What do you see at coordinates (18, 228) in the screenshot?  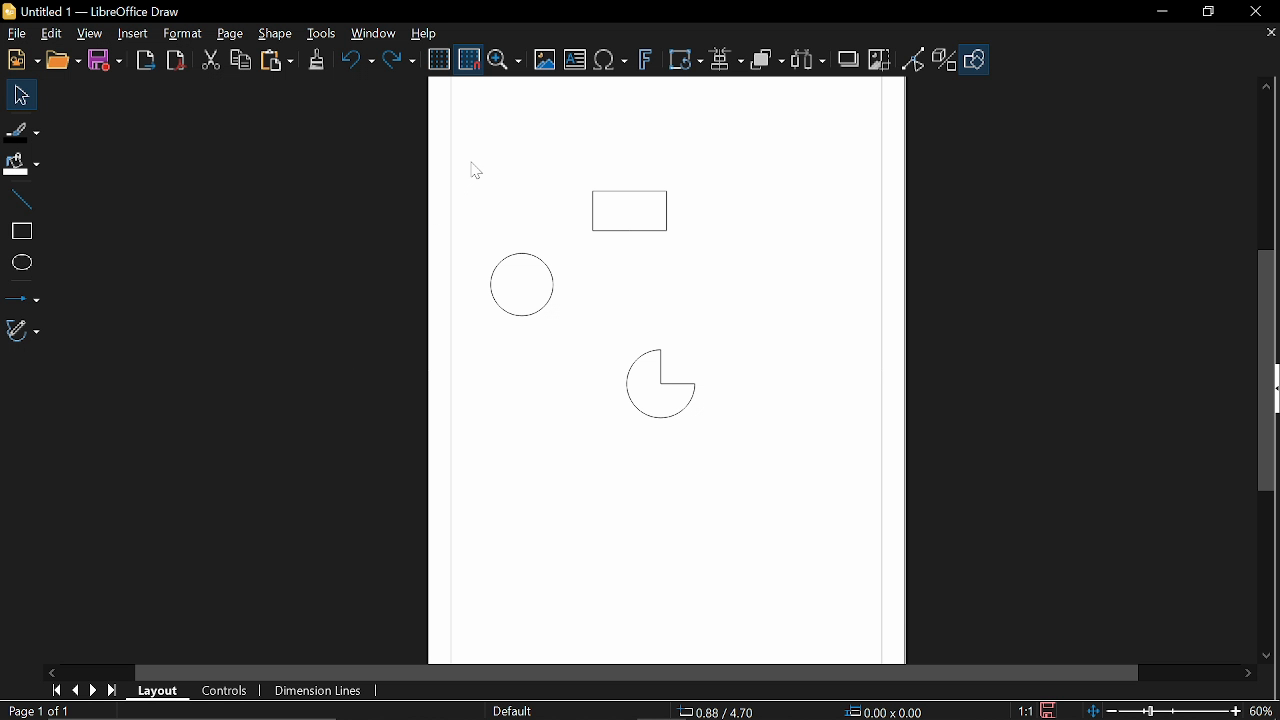 I see `rectangle` at bounding box center [18, 228].